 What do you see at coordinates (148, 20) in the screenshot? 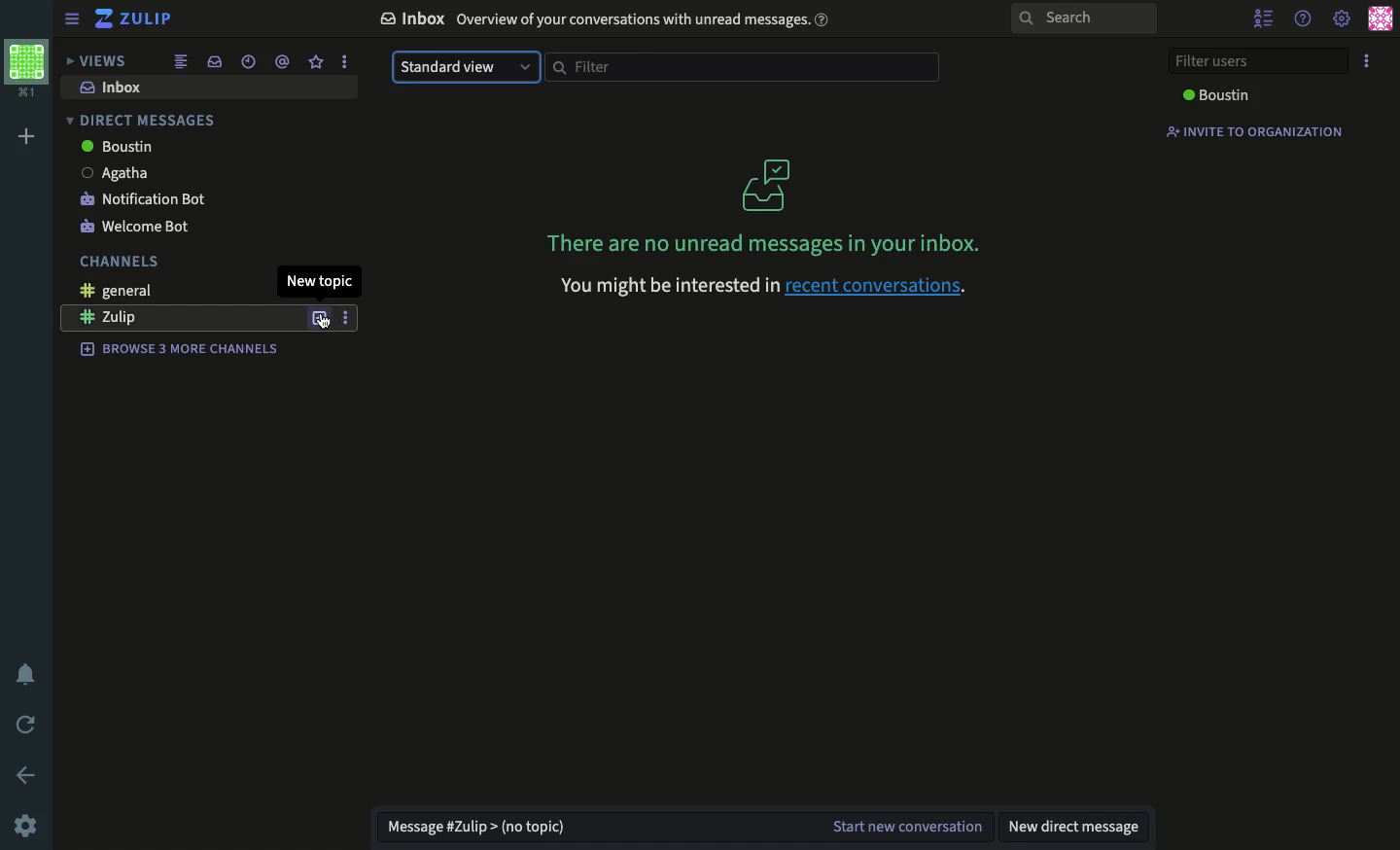
I see `Zulip` at bounding box center [148, 20].